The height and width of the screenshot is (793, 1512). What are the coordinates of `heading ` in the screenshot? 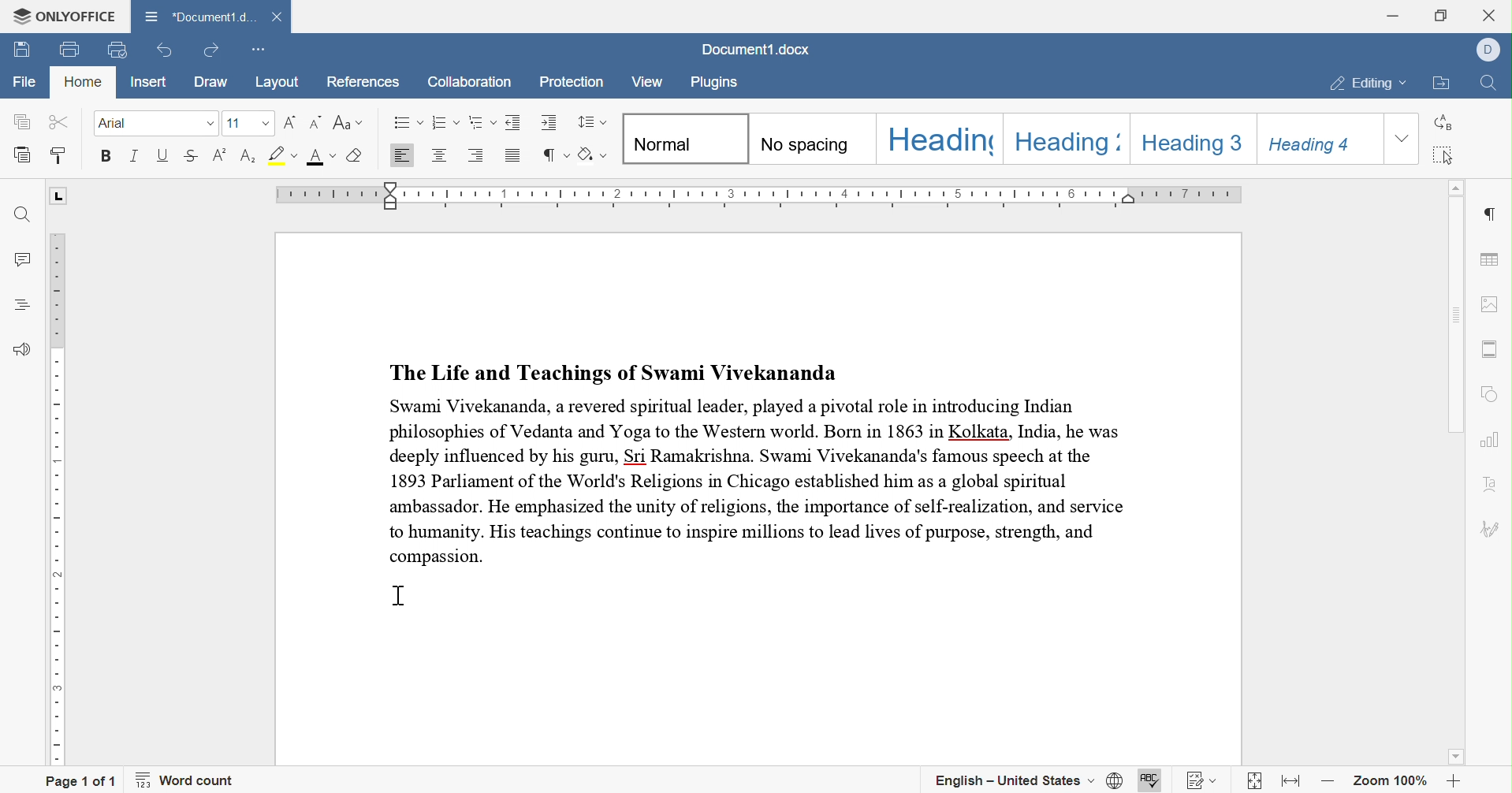 It's located at (1076, 140).